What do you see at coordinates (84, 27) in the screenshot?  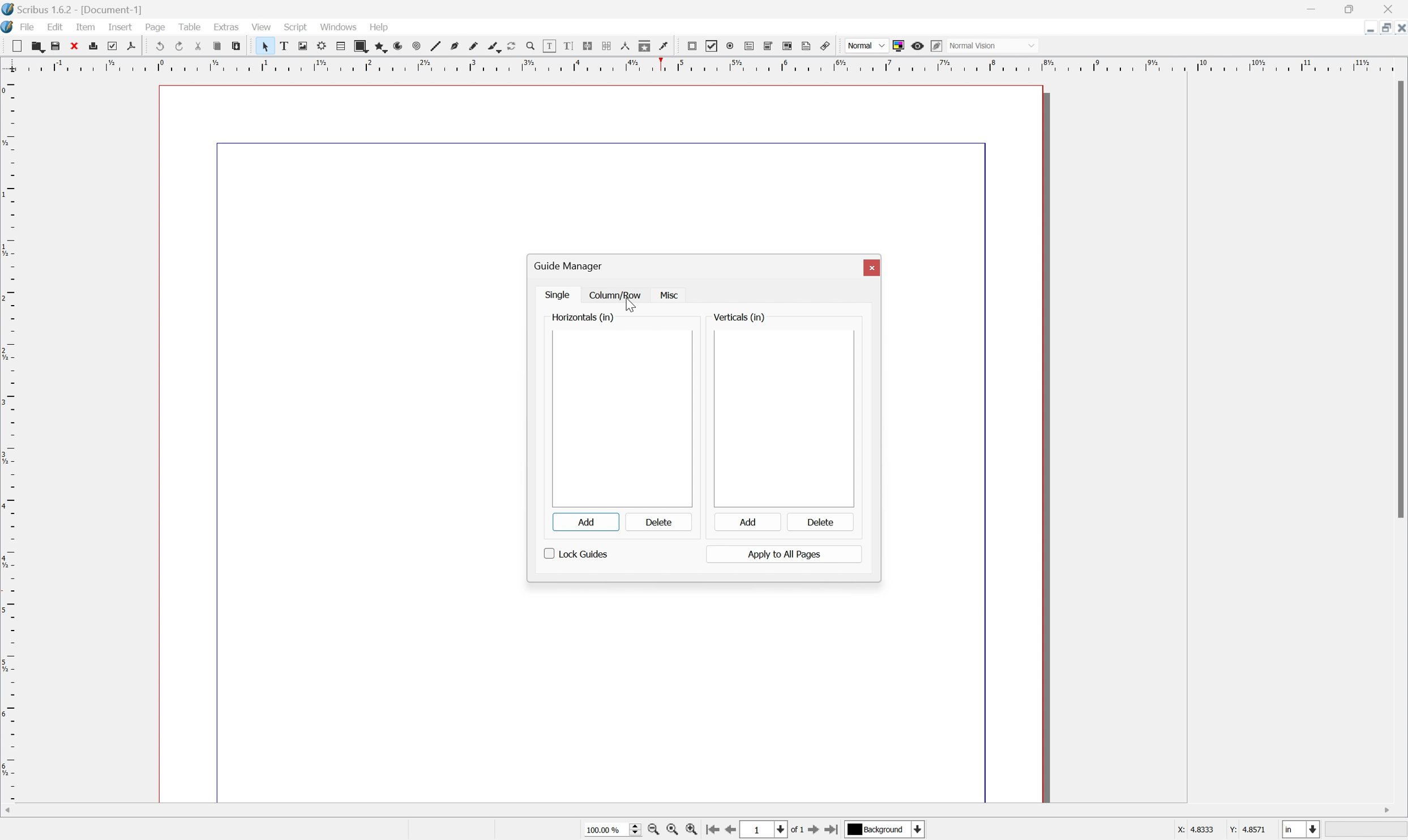 I see `item` at bounding box center [84, 27].